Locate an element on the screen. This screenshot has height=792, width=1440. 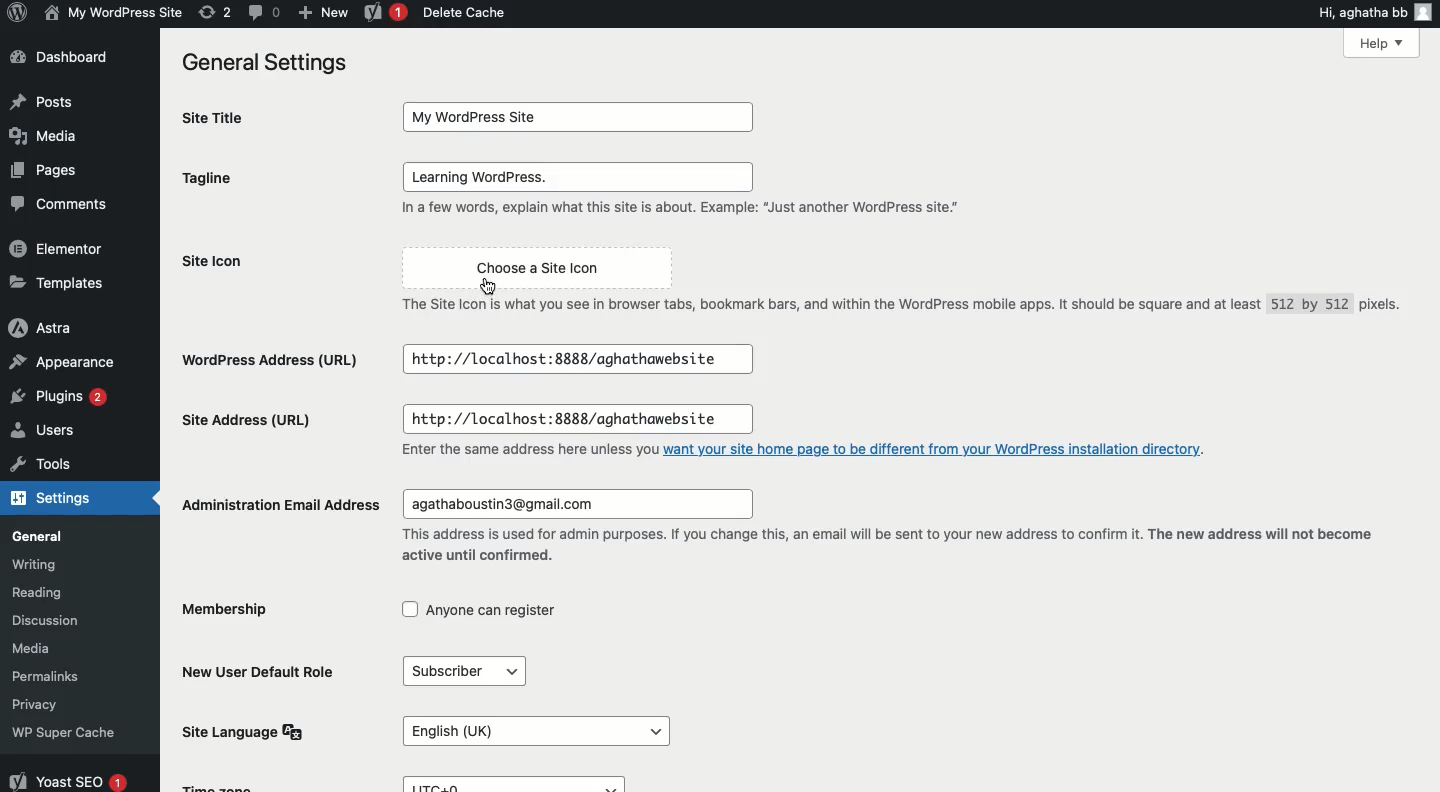
Delete cache is located at coordinates (466, 14).